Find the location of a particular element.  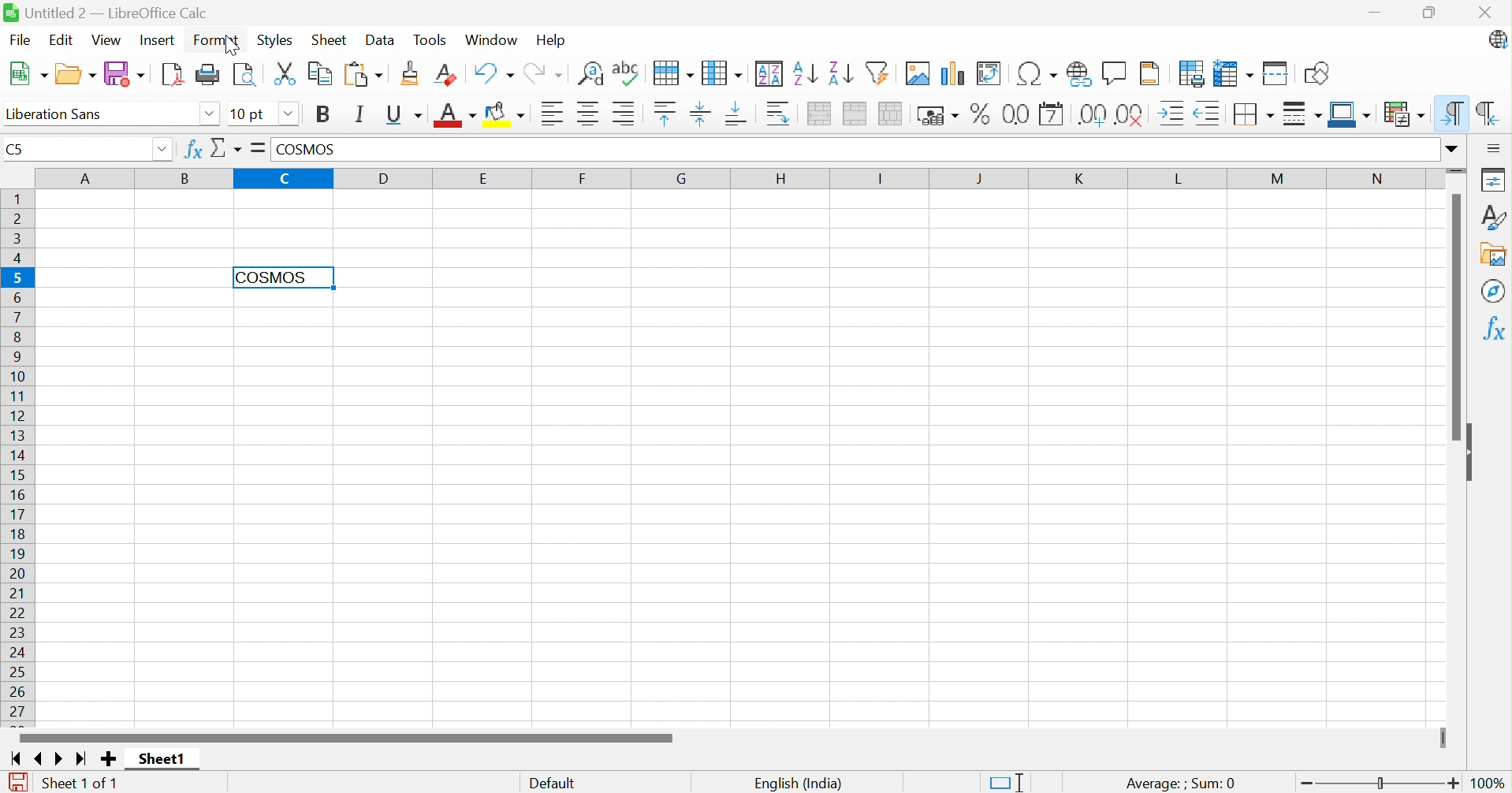

Add new Sheet is located at coordinates (108, 760).